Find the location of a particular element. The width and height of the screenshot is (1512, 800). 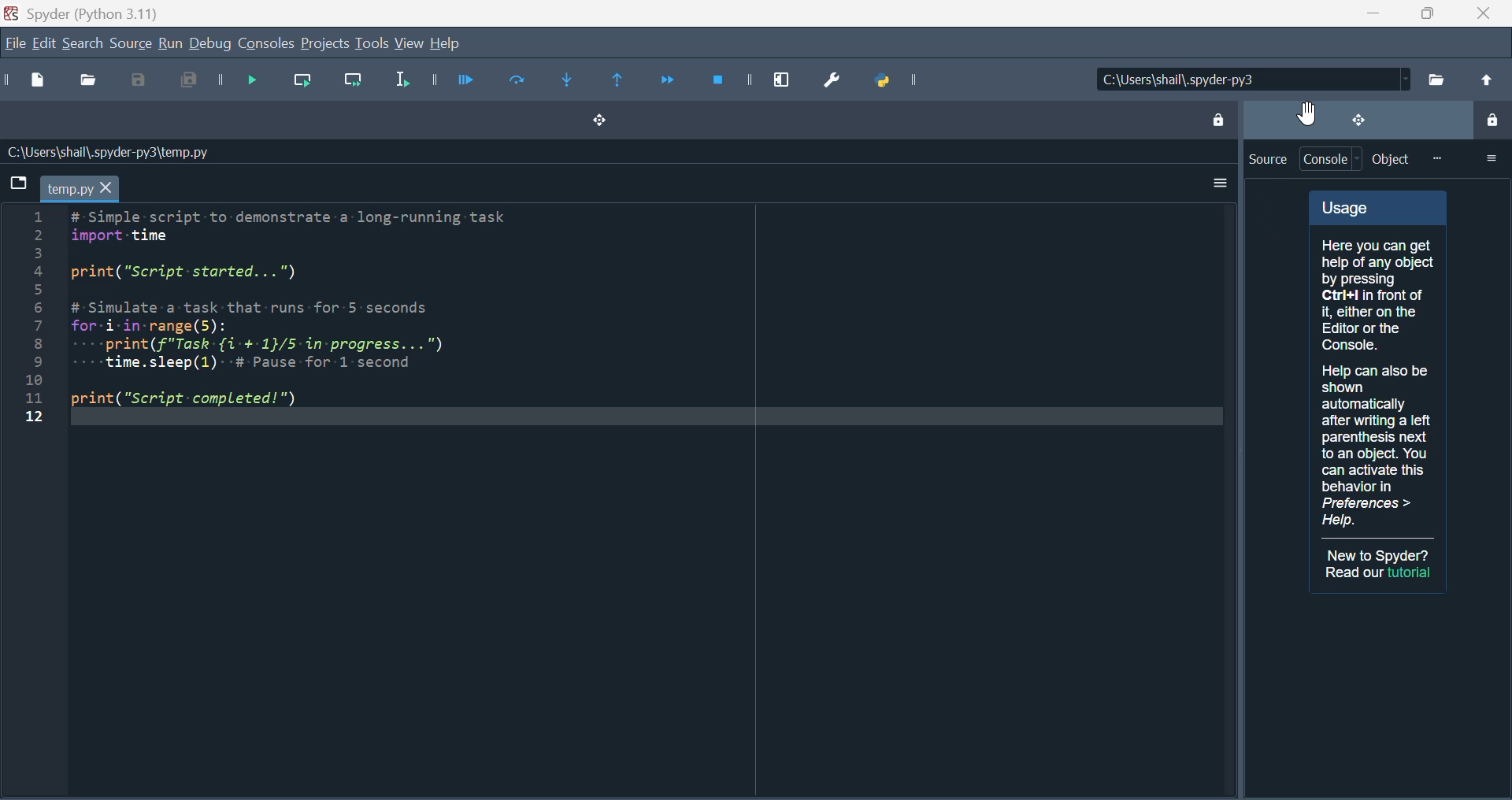

Run selection is located at coordinates (399, 83).